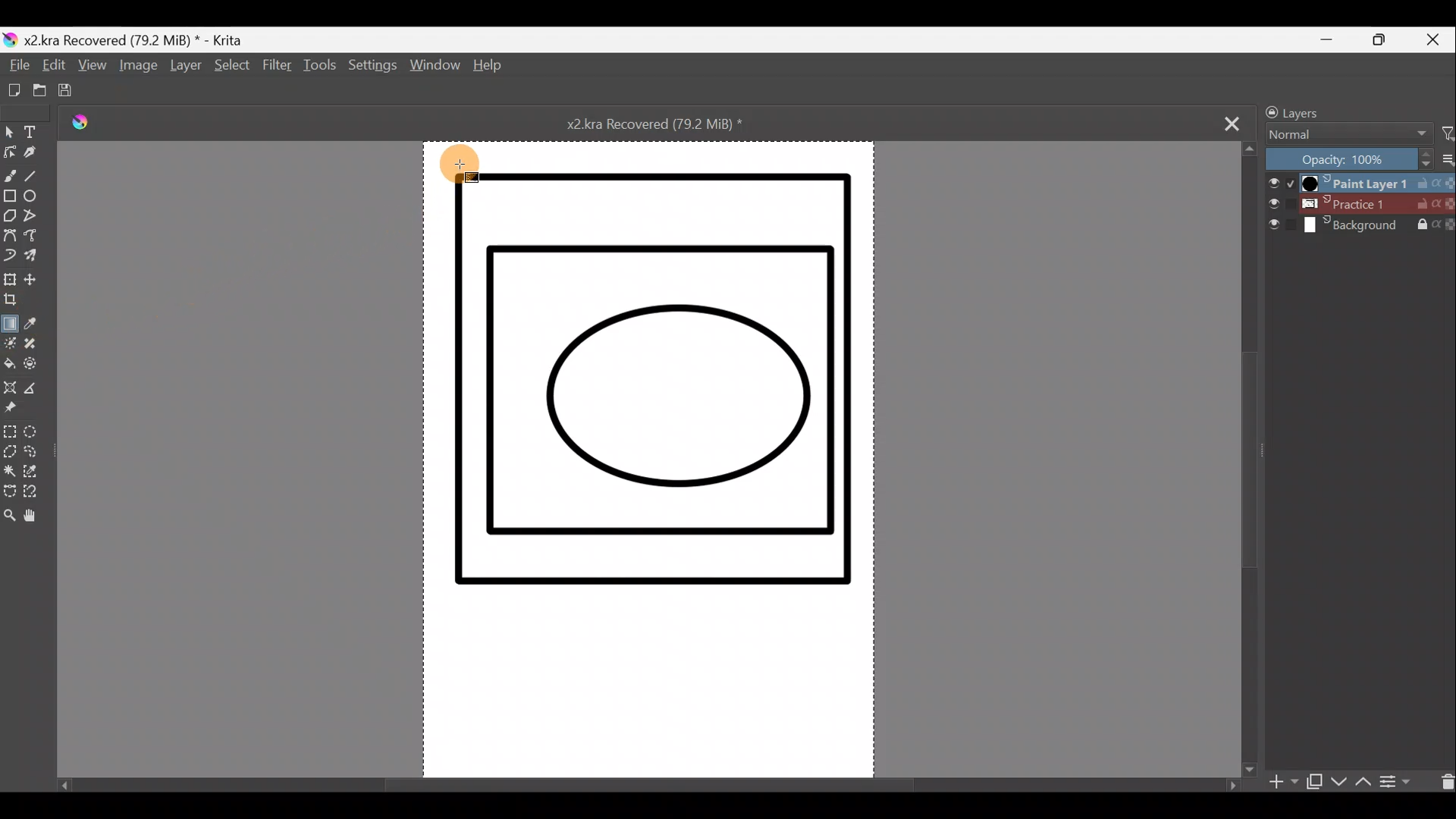 Image resolution: width=1456 pixels, height=819 pixels. What do you see at coordinates (14, 302) in the screenshot?
I see `Crop the image to an area` at bounding box center [14, 302].